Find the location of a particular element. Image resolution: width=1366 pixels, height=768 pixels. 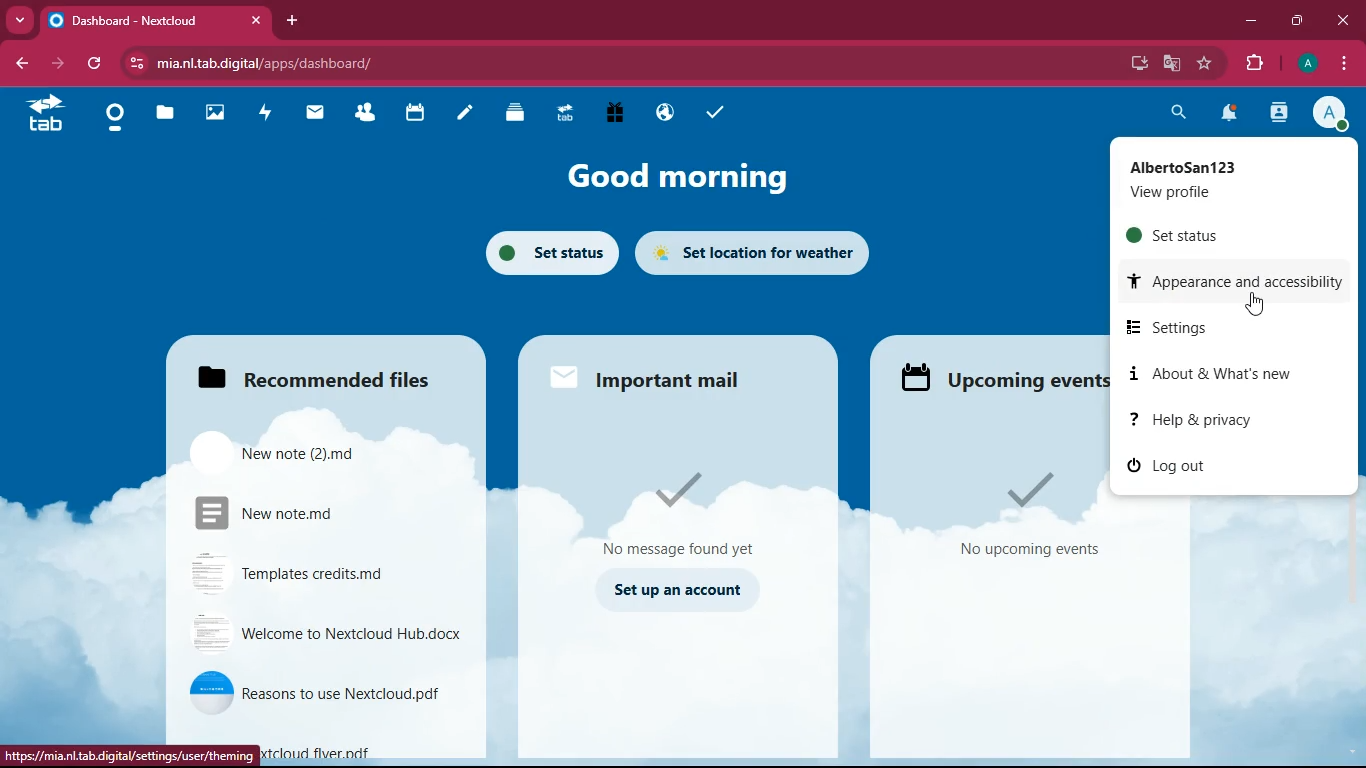

tab is located at coordinates (155, 23).